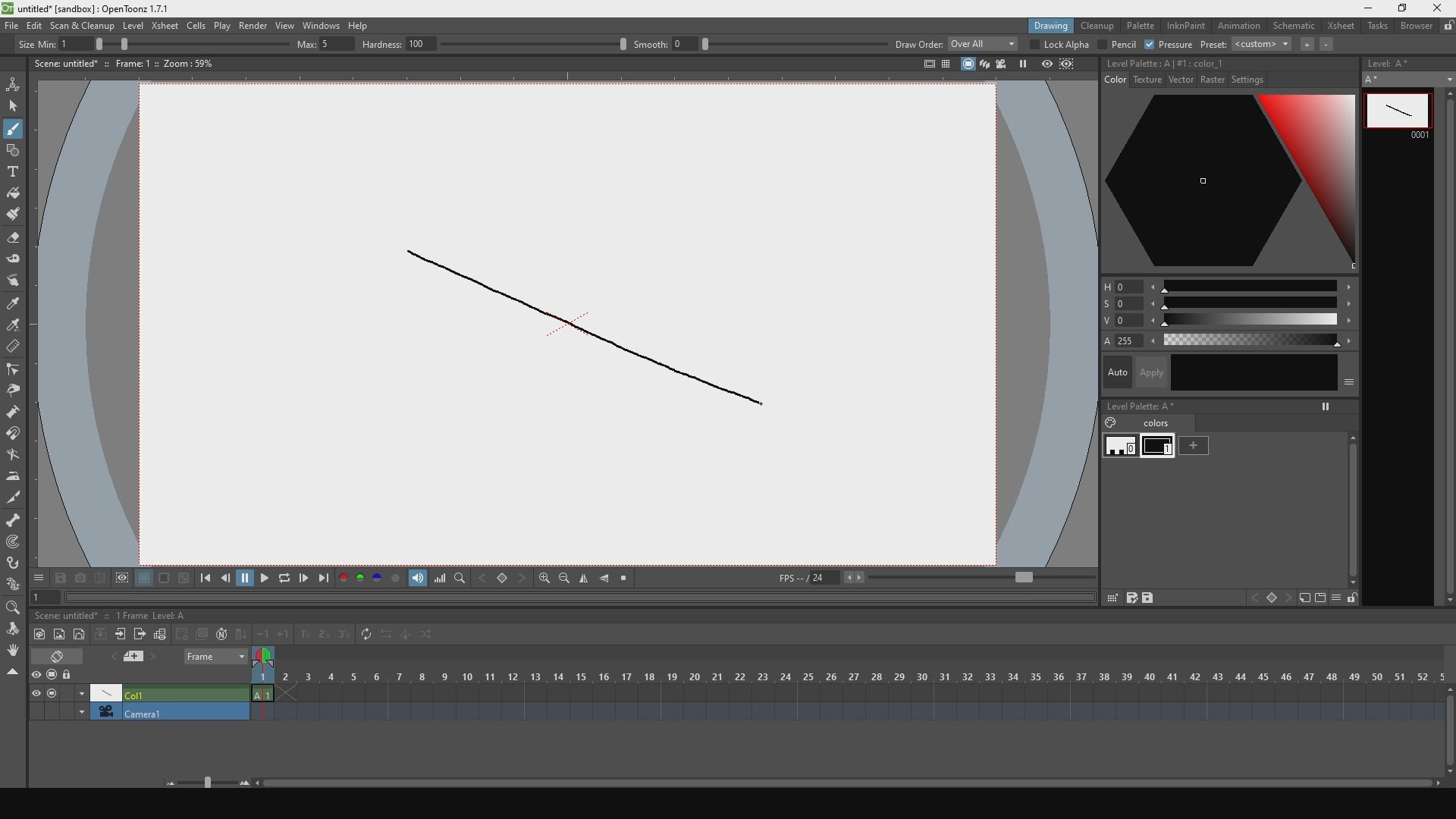 This screenshot has height=819, width=1456. I want to click on iron, so click(14, 476).